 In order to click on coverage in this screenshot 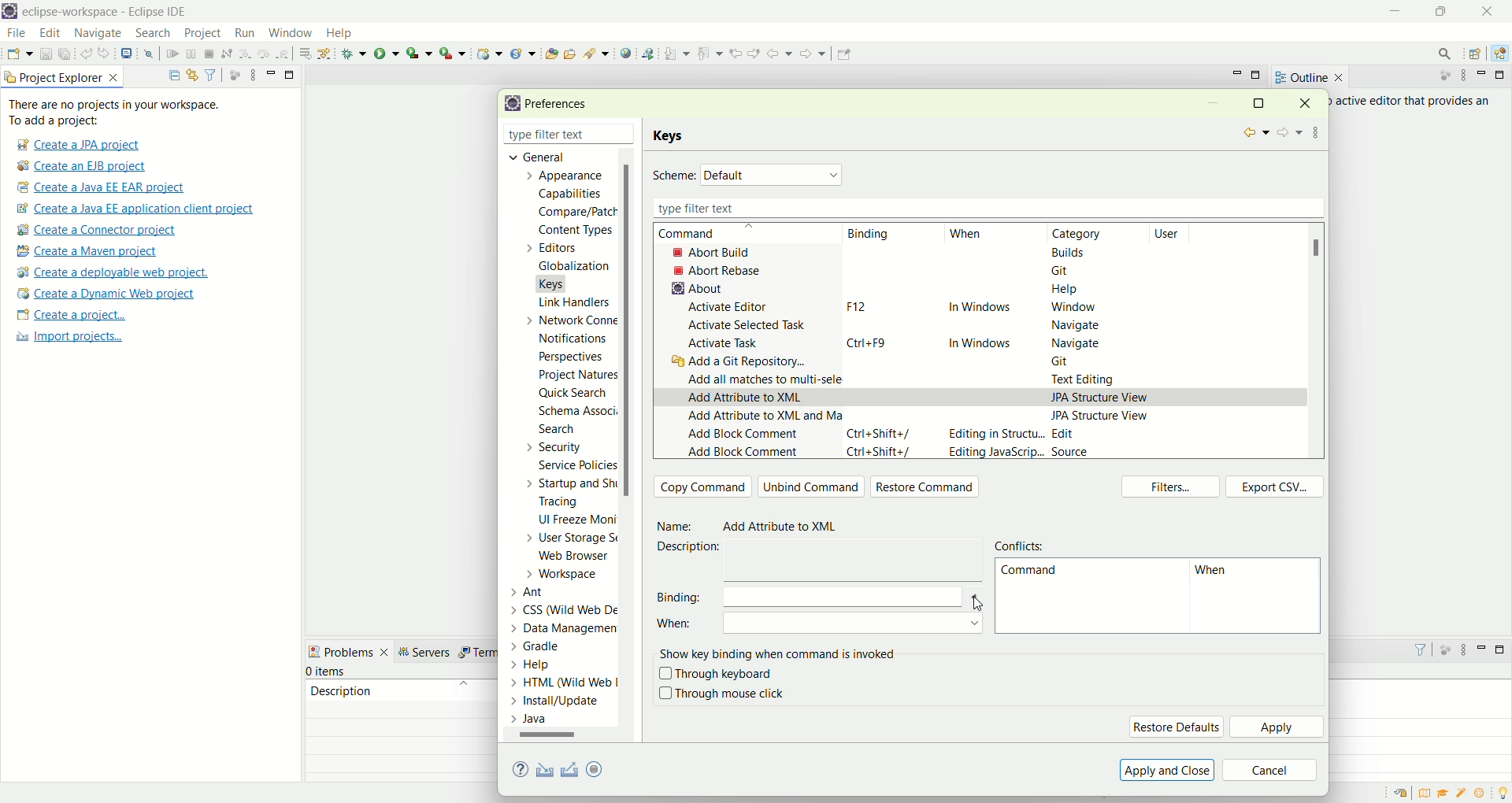, I will do `click(419, 53)`.